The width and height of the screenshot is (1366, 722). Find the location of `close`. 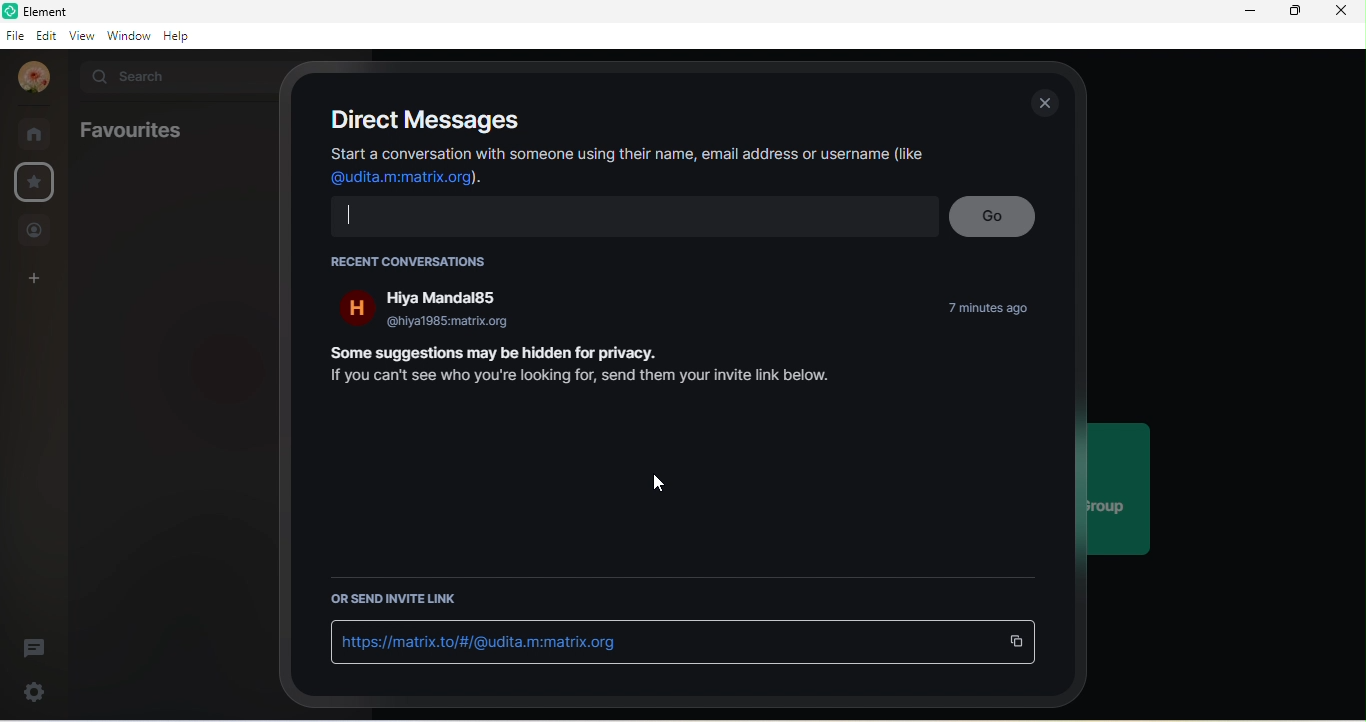

close is located at coordinates (1344, 11).